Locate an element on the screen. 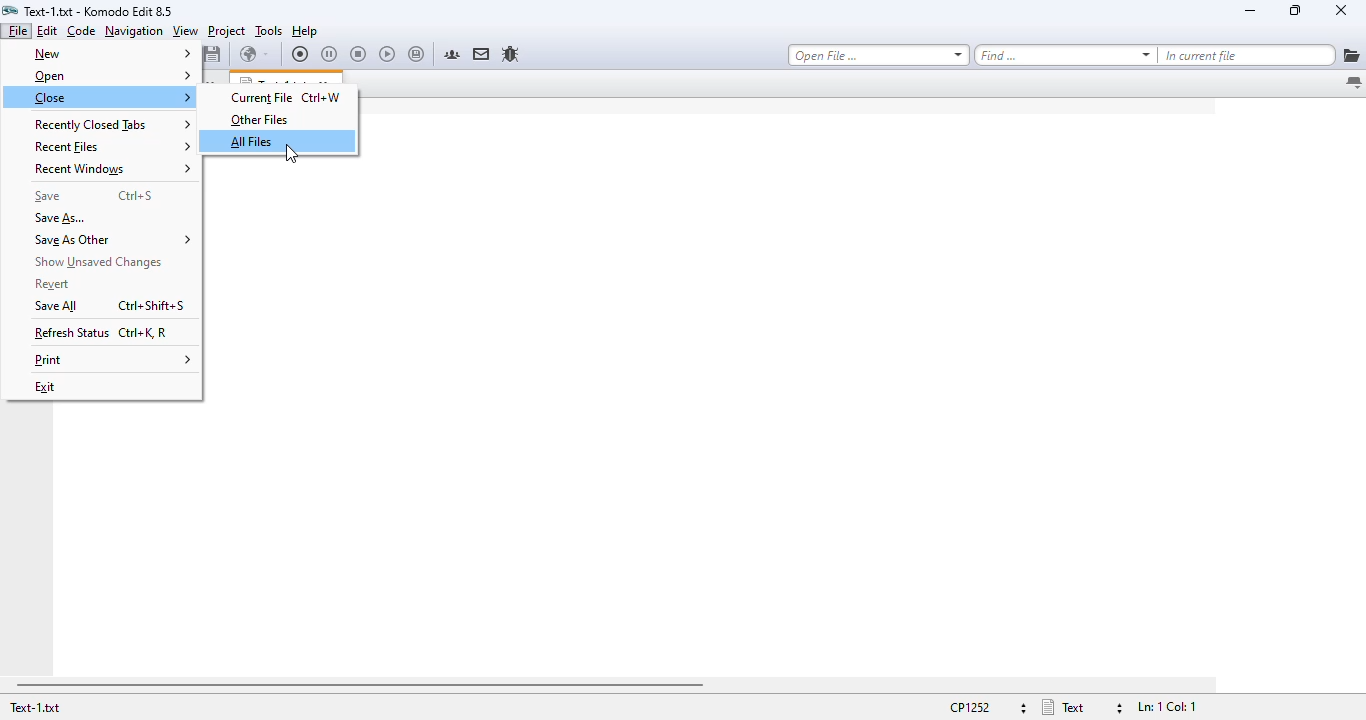 This screenshot has width=1366, height=720. project is located at coordinates (227, 31).